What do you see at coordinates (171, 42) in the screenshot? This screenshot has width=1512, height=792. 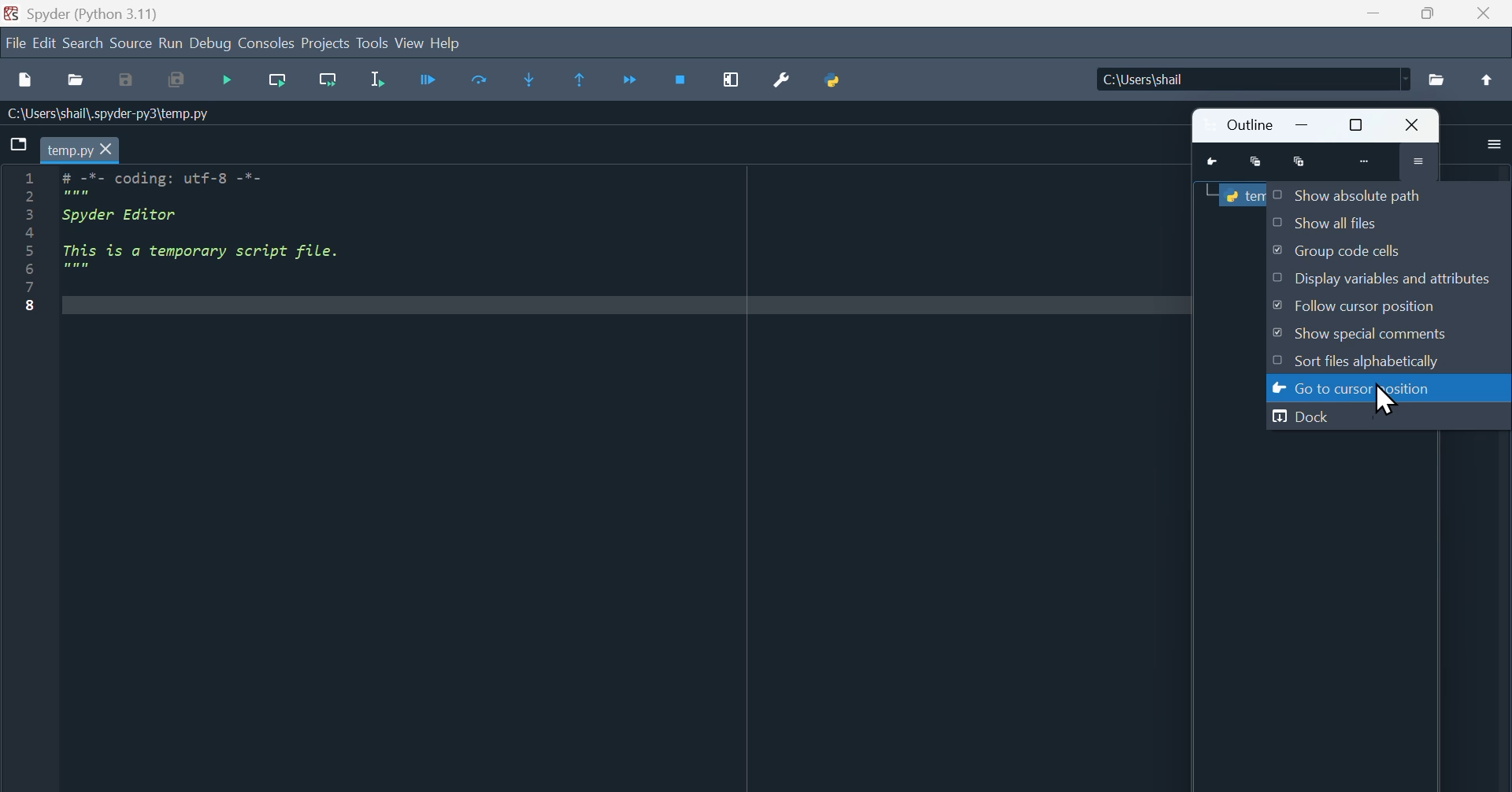 I see `Run` at bounding box center [171, 42].